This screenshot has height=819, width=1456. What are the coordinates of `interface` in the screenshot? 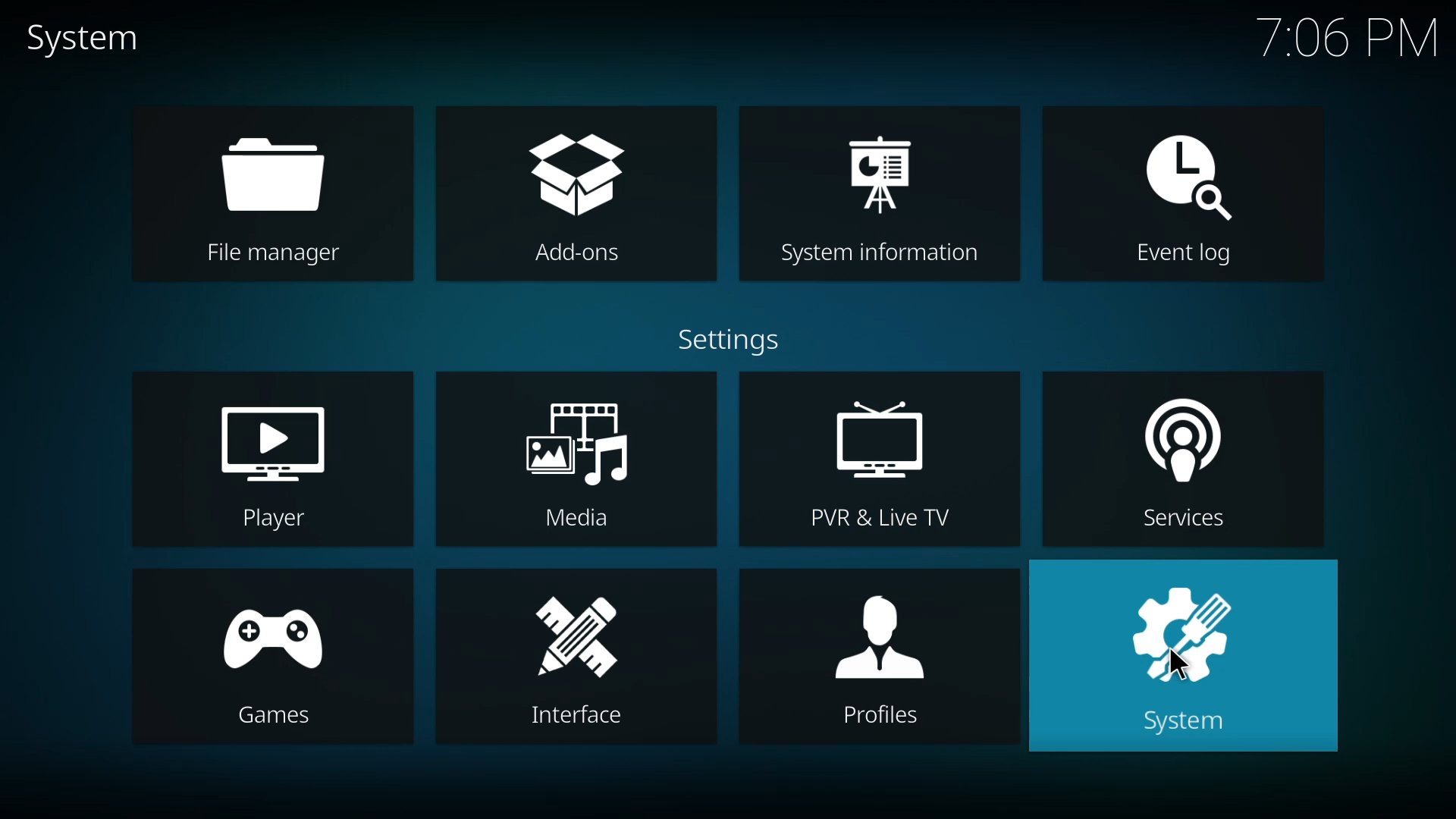 It's located at (588, 655).